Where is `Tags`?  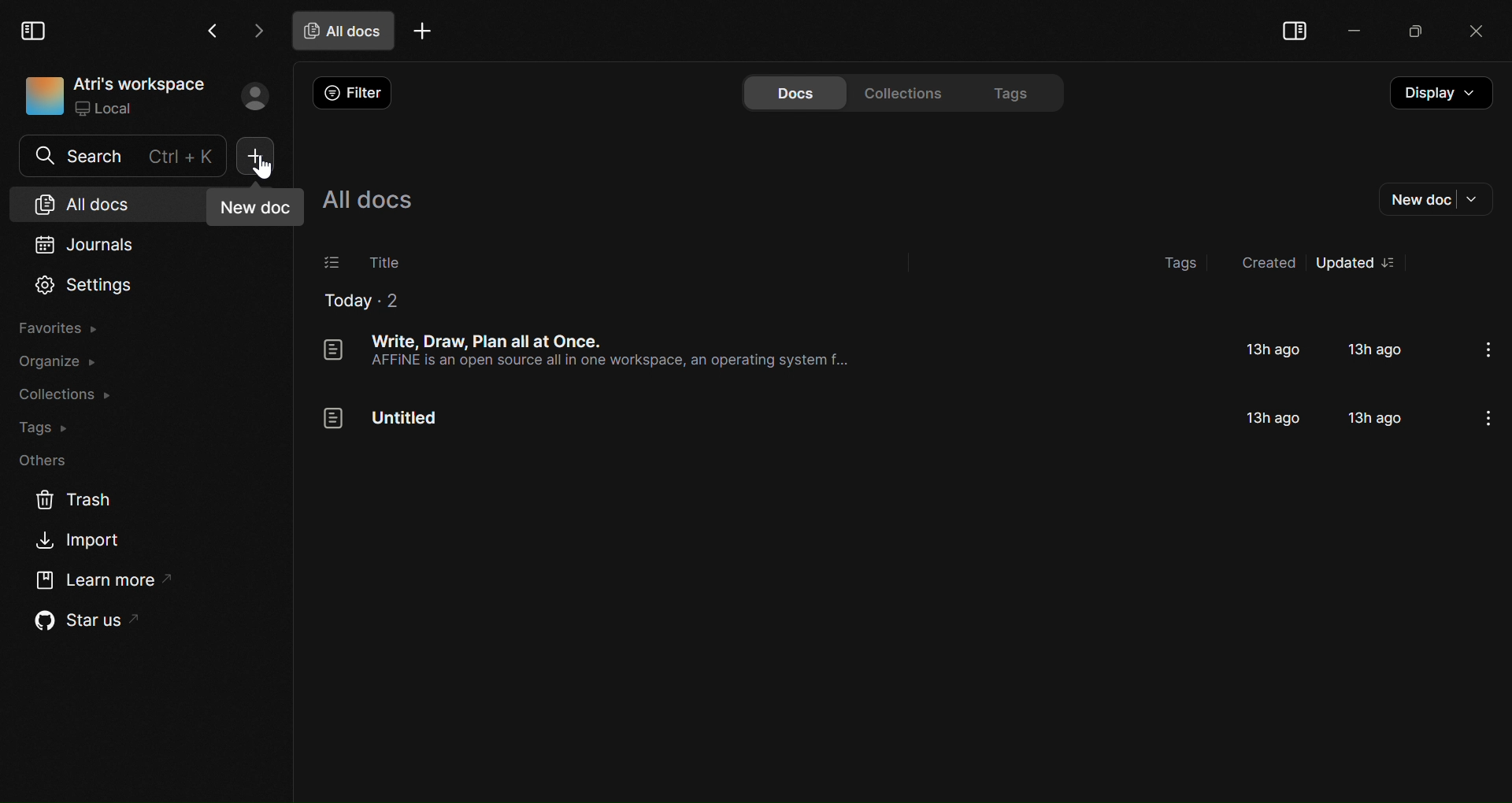
Tags is located at coordinates (1017, 91).